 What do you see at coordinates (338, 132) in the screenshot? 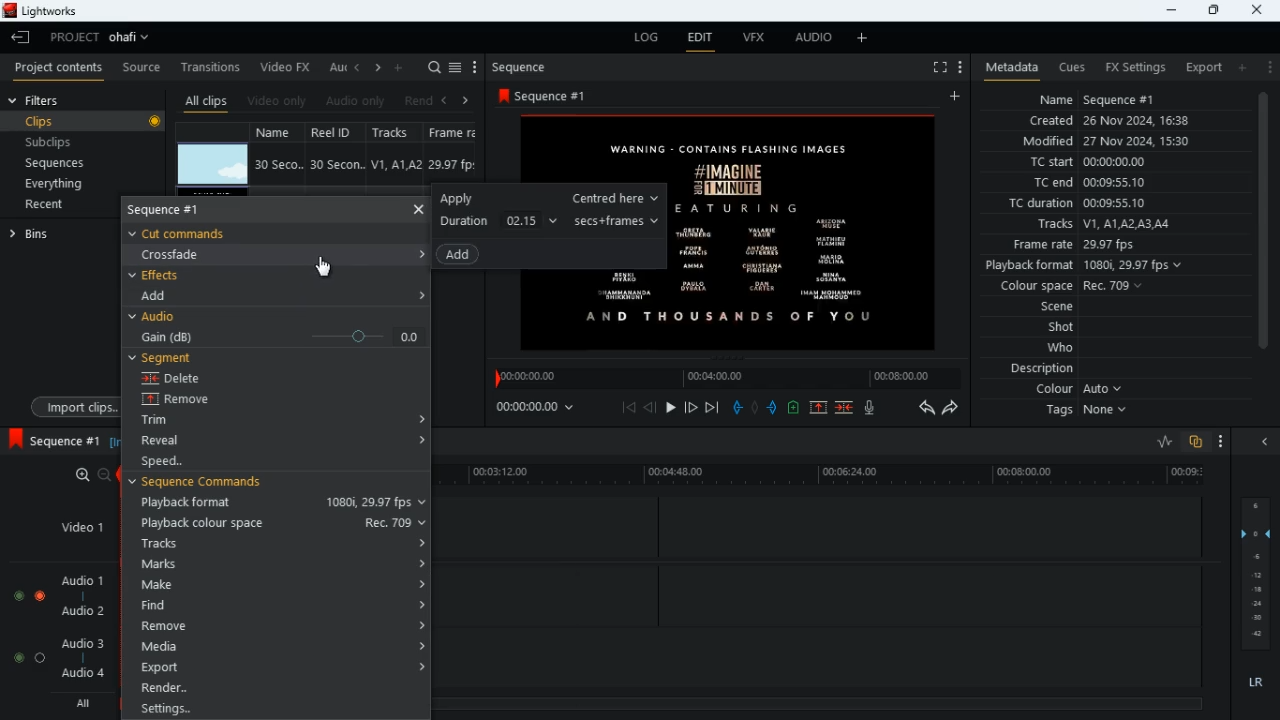
I see `real id` at bounding box center [338, 132].